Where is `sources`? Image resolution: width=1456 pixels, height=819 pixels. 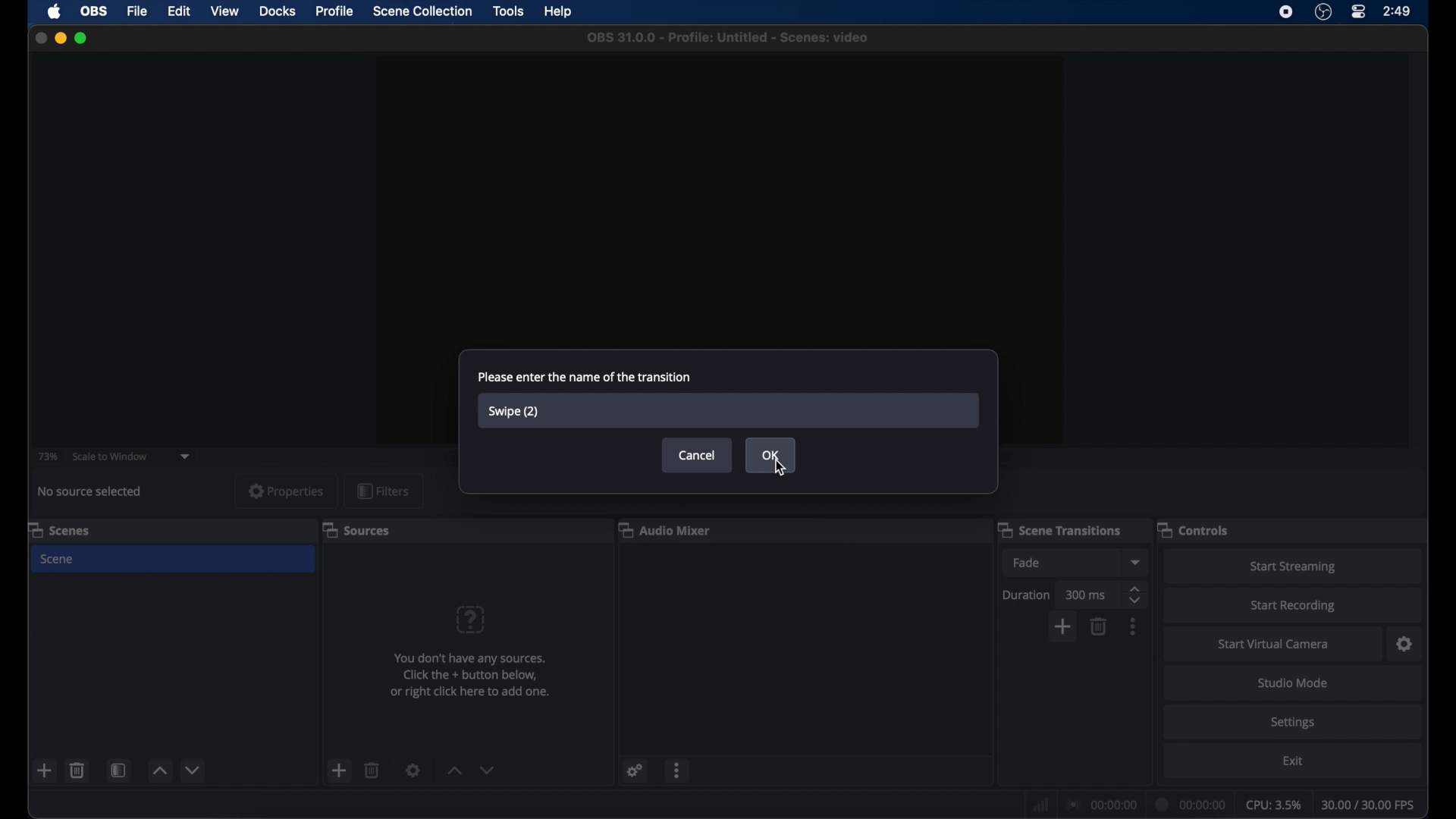 sources is located at coordinates (356, 531).